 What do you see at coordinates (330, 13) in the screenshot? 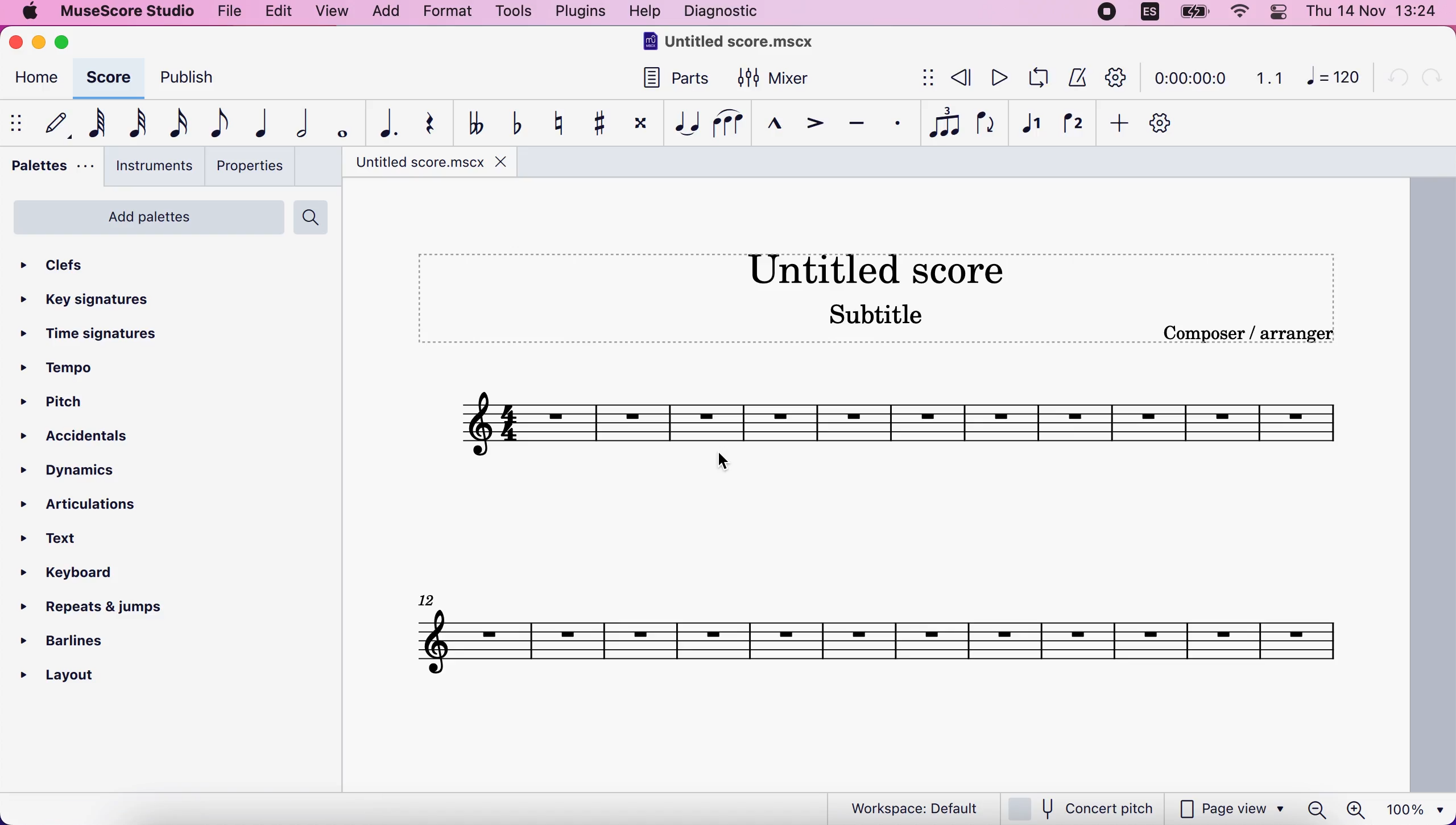
I see `view` at bounding box center [330, 13].